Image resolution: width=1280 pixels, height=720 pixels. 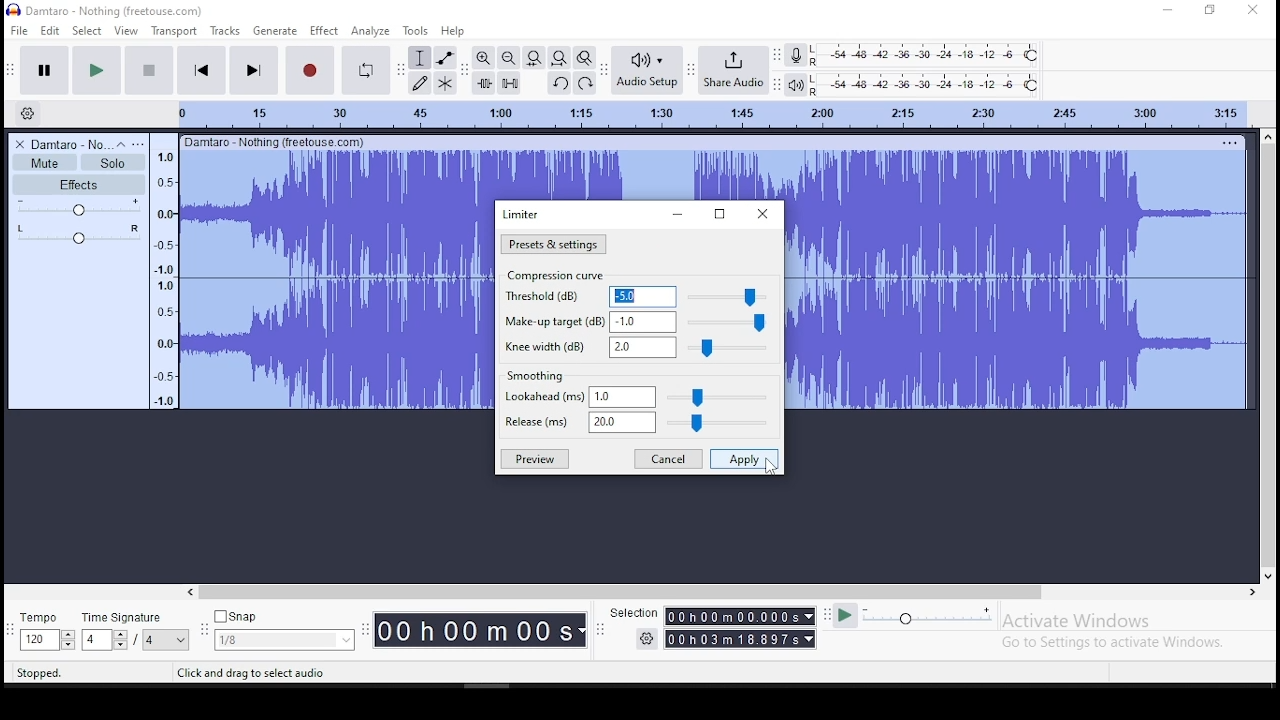 What do you see at coordinates (399, 393) in the screenshot?
I see `sound track` at bounding box center [399, 393].